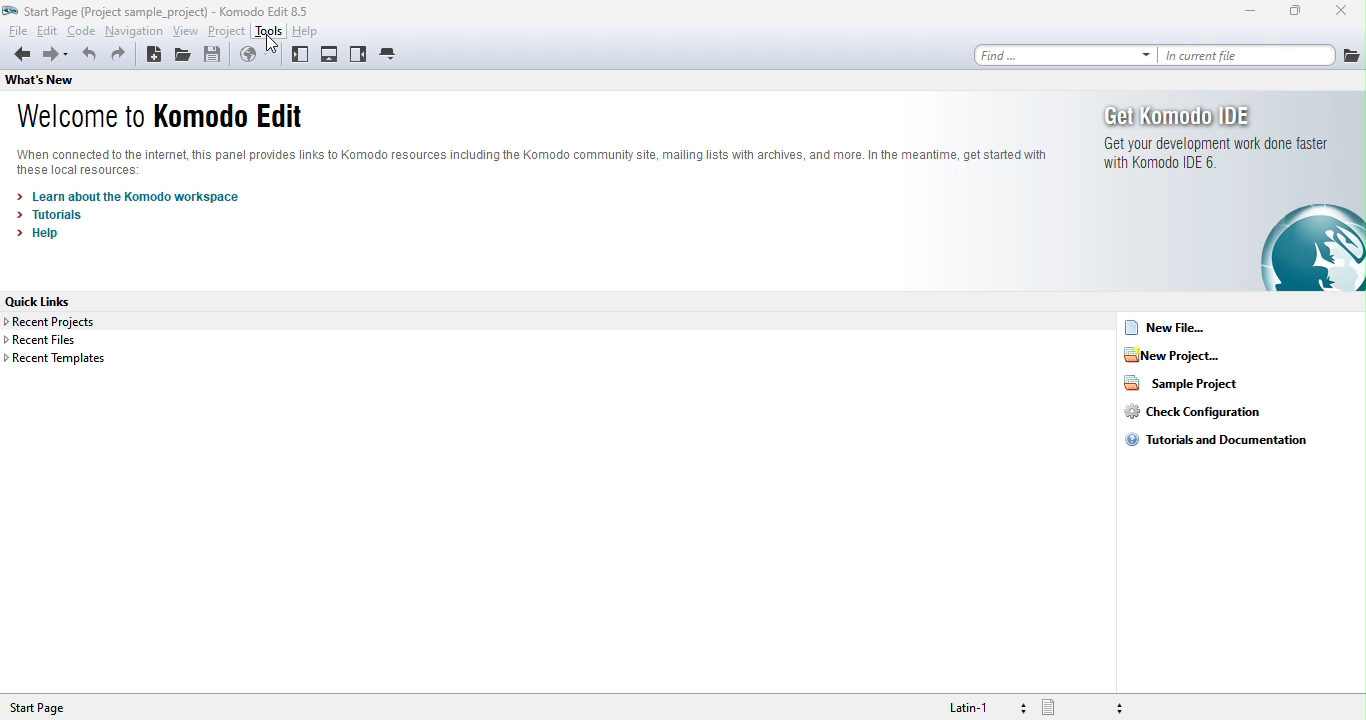 The height and width of the screenshot is (720, 1366). What do you see at coordinates (133, 32) in the screenshot?
I see `navigation` at bounding box center [133, 32].